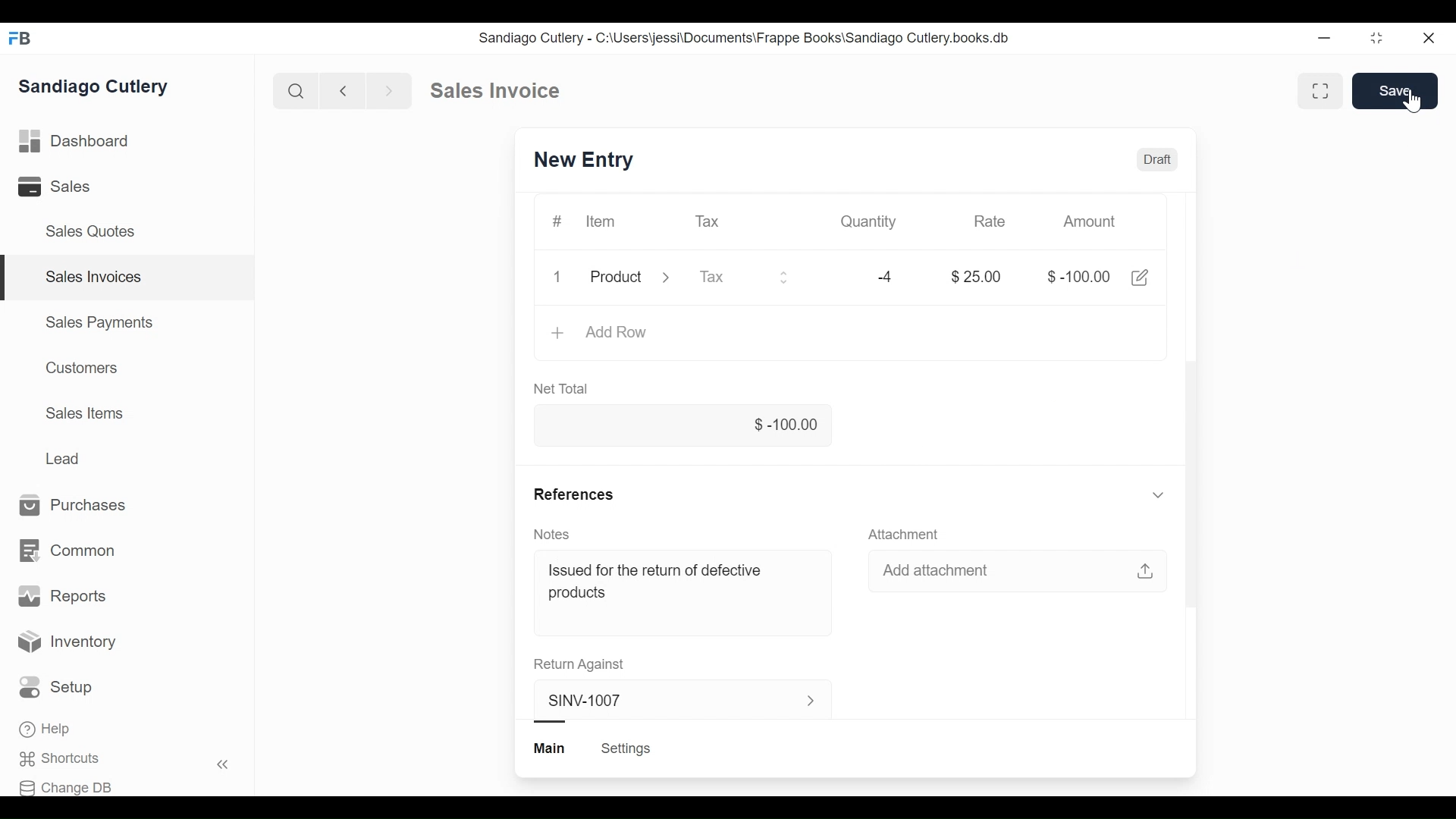 The image size is (1456, 819). What do you see at coordinates (1139, 278) in the screenshot?
I see `Edit` at bounding box center [1139, 278].